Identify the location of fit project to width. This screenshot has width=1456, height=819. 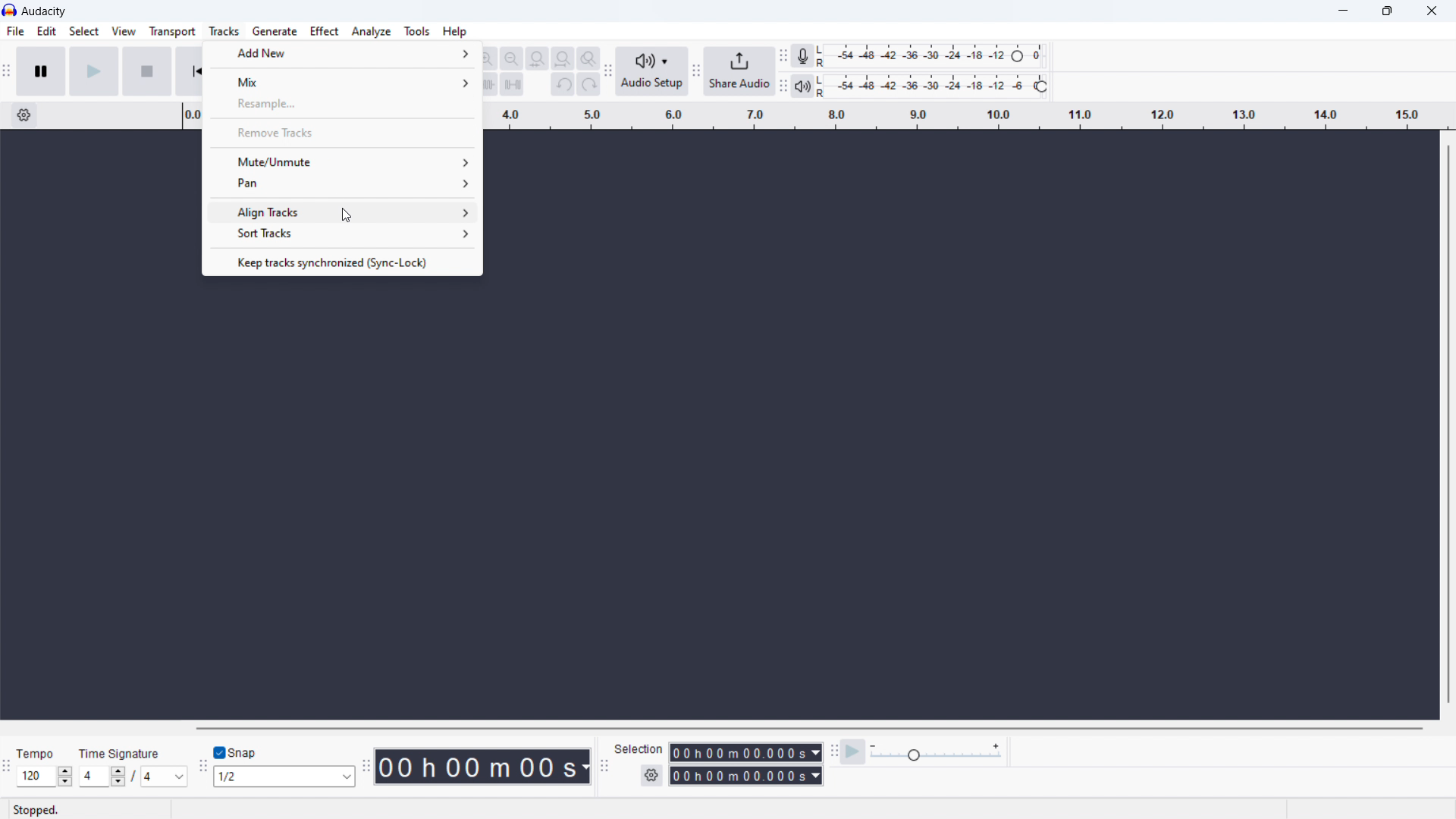
(563, 58).